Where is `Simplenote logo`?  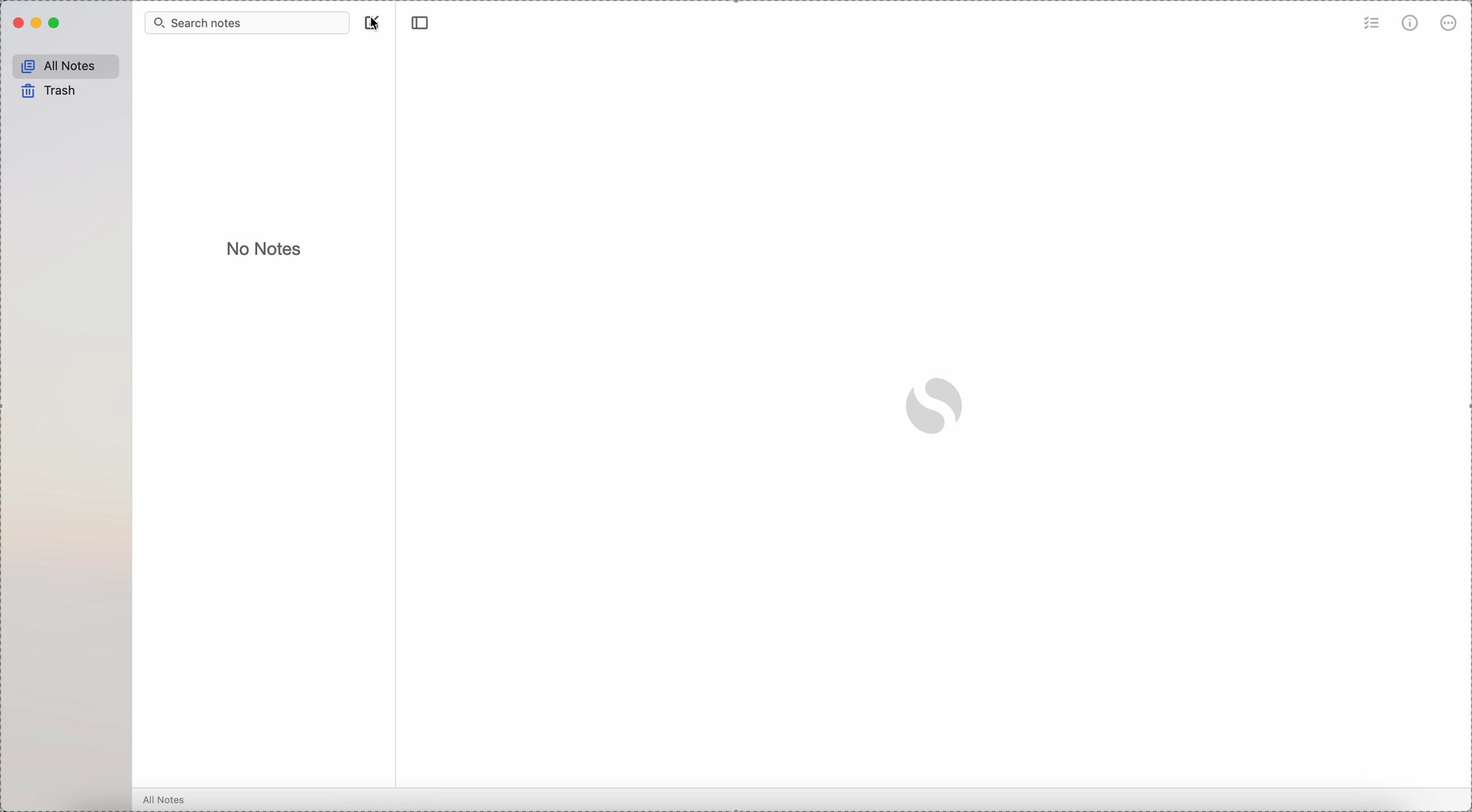
Simplenote logo is located at coordinates (936, 406).